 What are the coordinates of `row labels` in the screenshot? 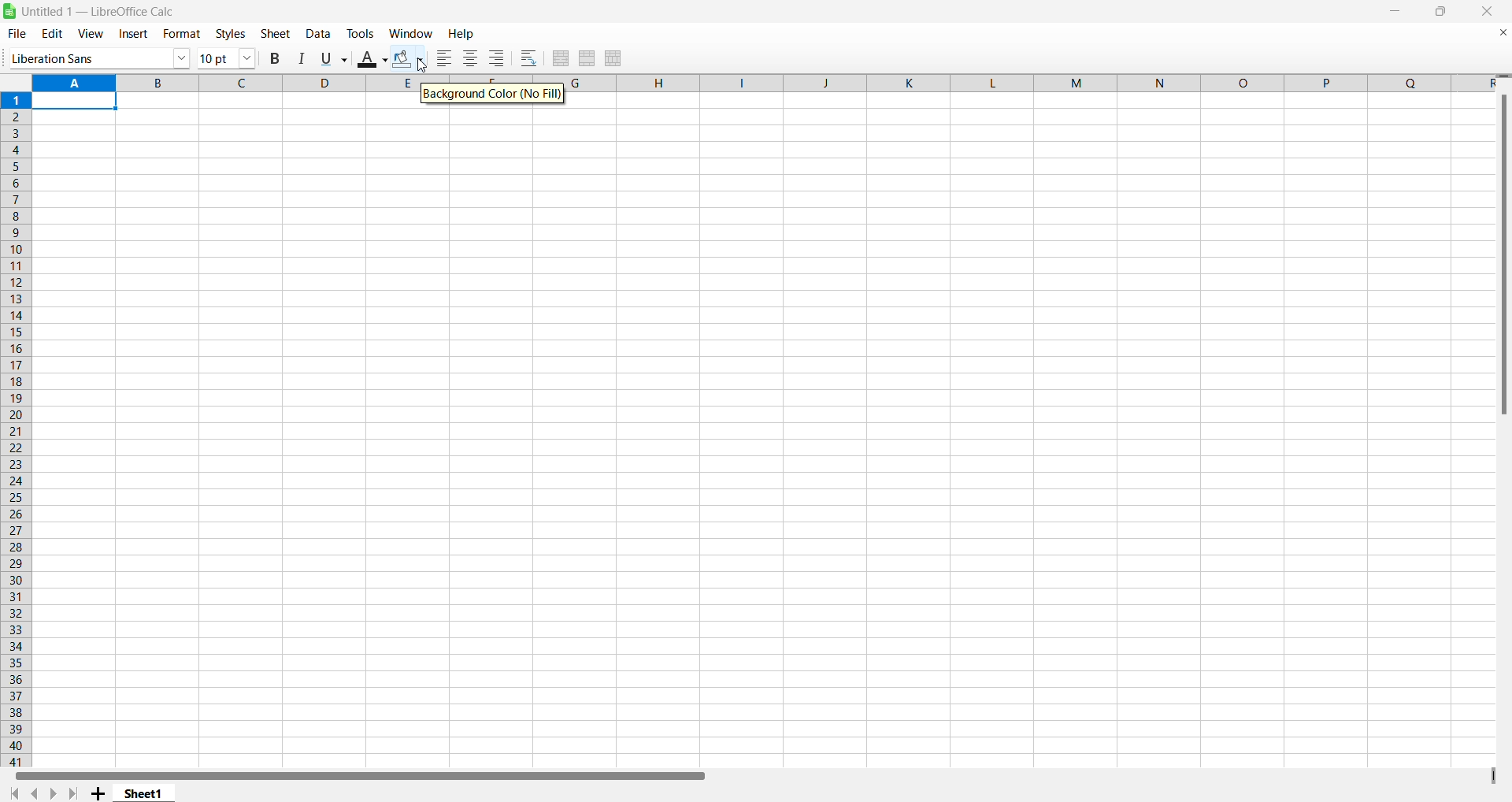 It's located at (14, 427).